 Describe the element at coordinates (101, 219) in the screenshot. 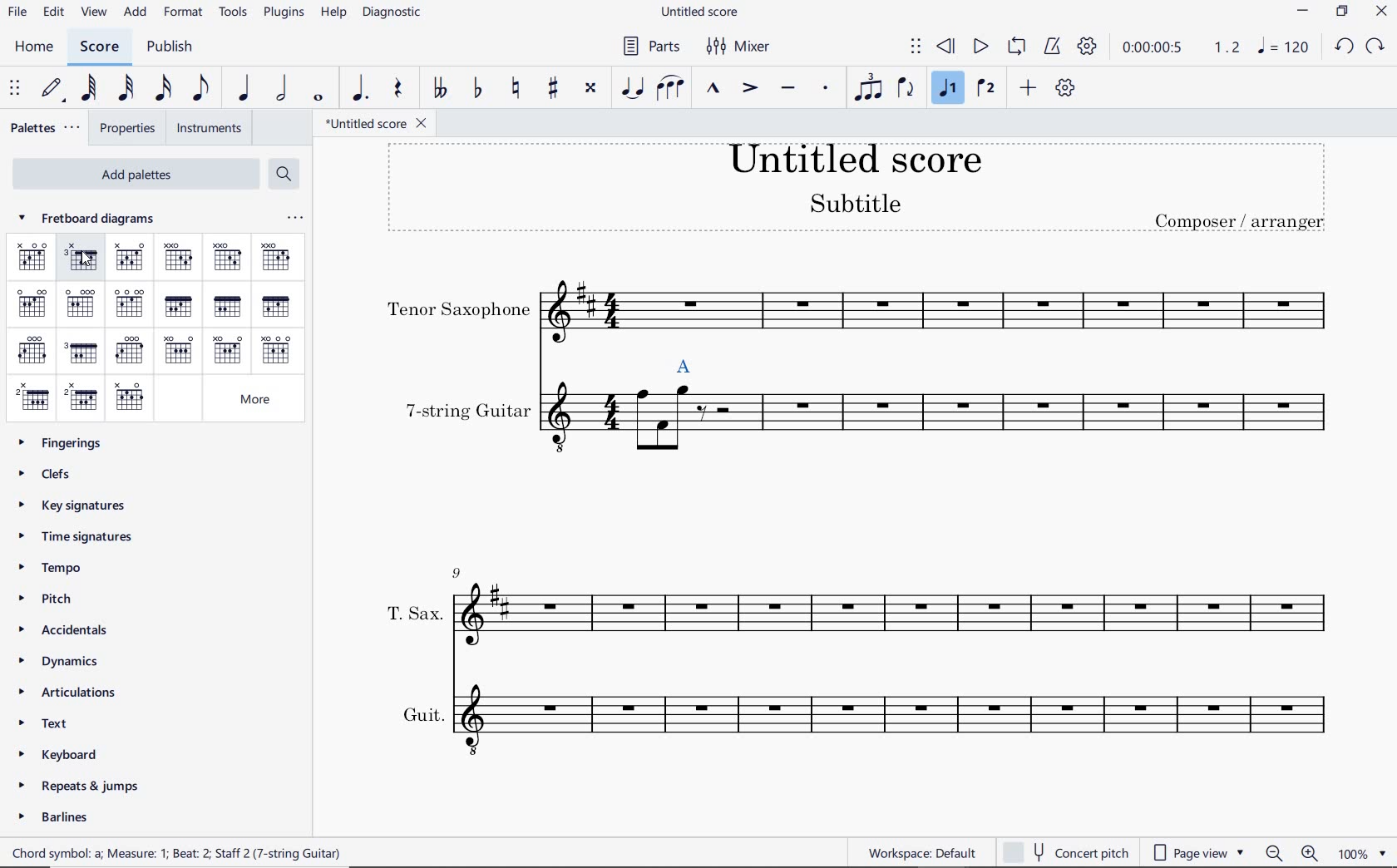

I see `fretboard diagrams` at that location.